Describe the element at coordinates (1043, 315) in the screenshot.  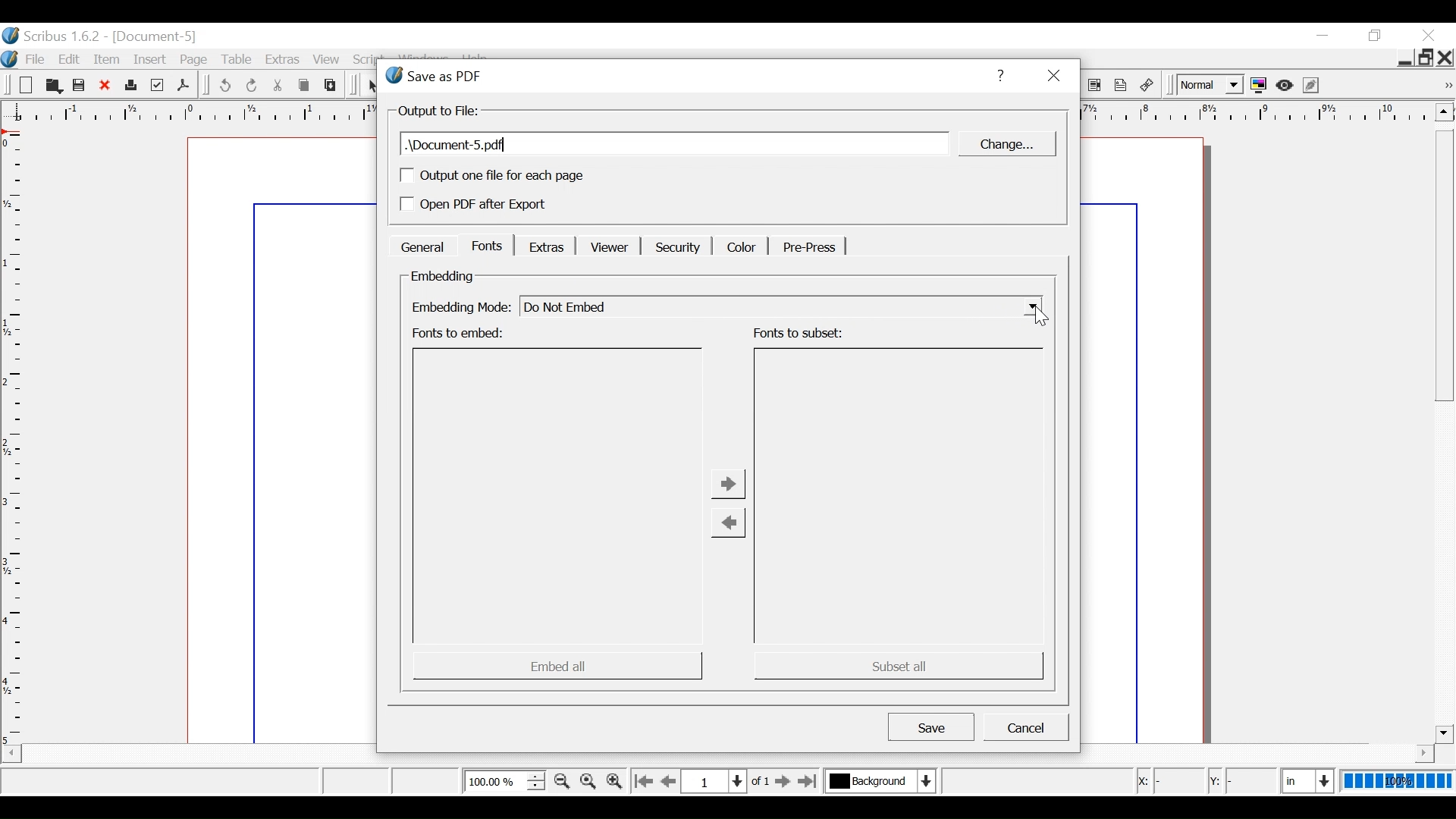
I see `Cursor` at that location.